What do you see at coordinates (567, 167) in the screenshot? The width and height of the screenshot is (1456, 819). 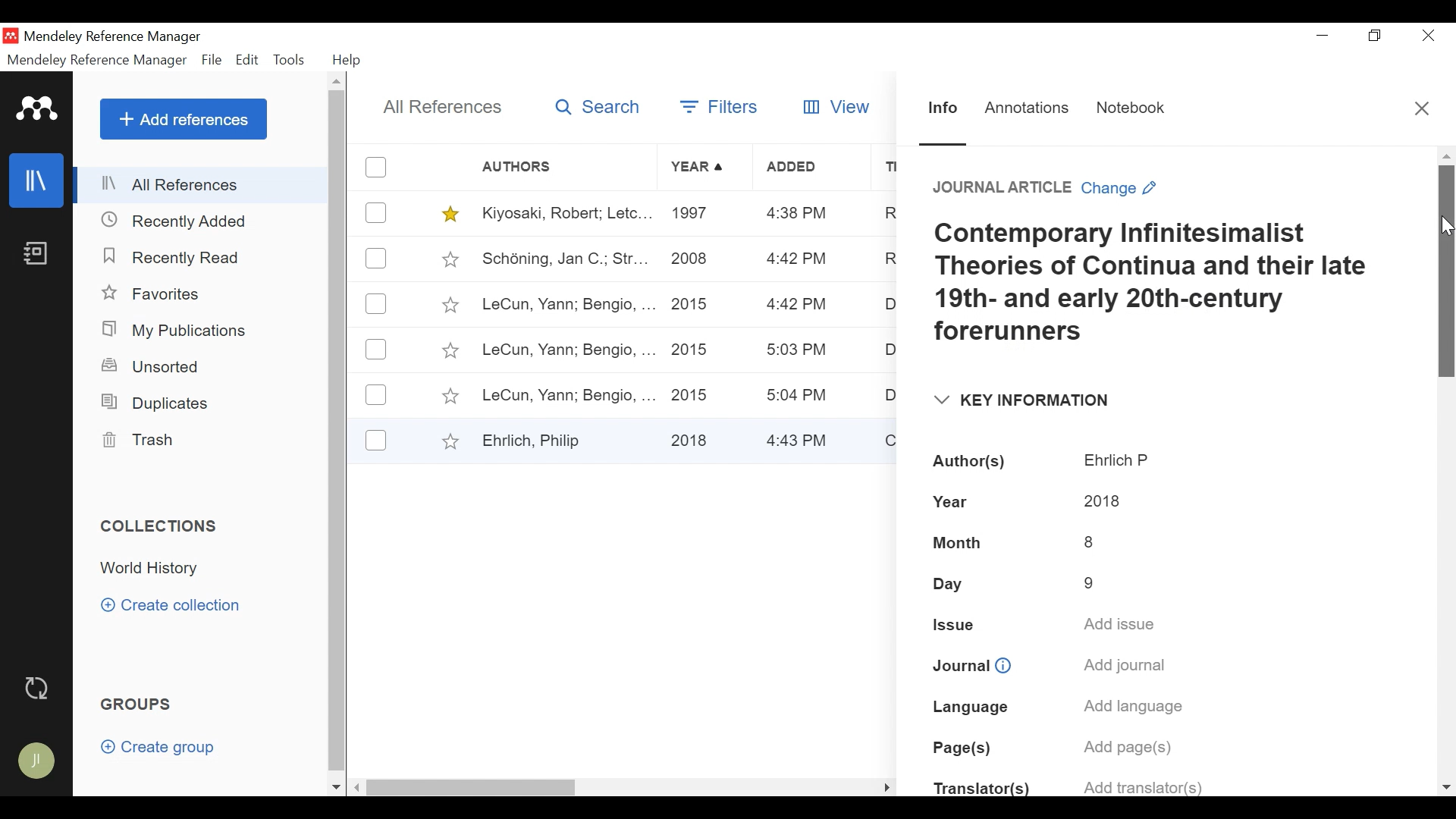 I see `Author ` at bounding box center [567, 167].